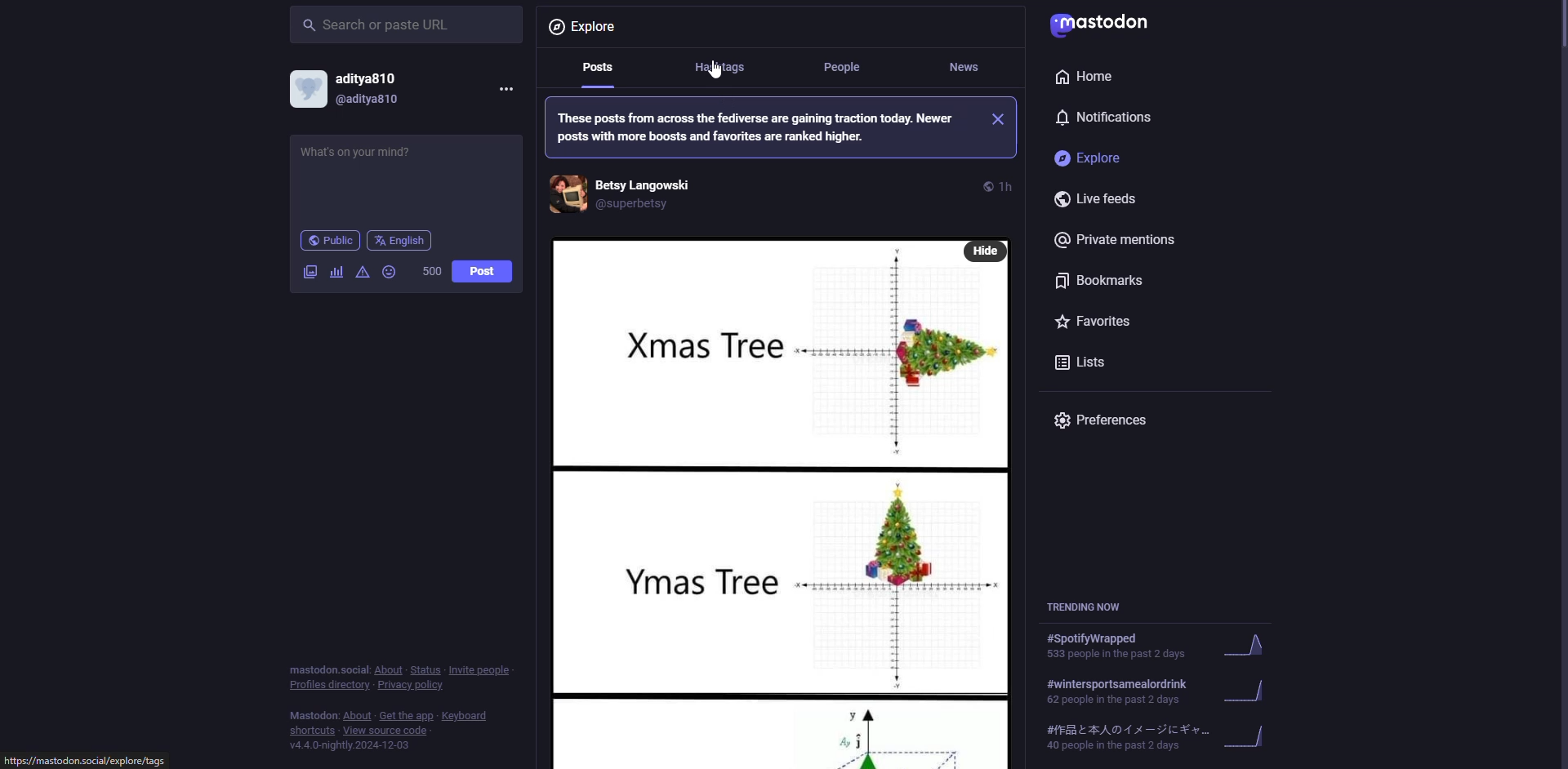  Describe the element at coordinates (1108, 24) in the screenshot. I see `mastodon` at that location.